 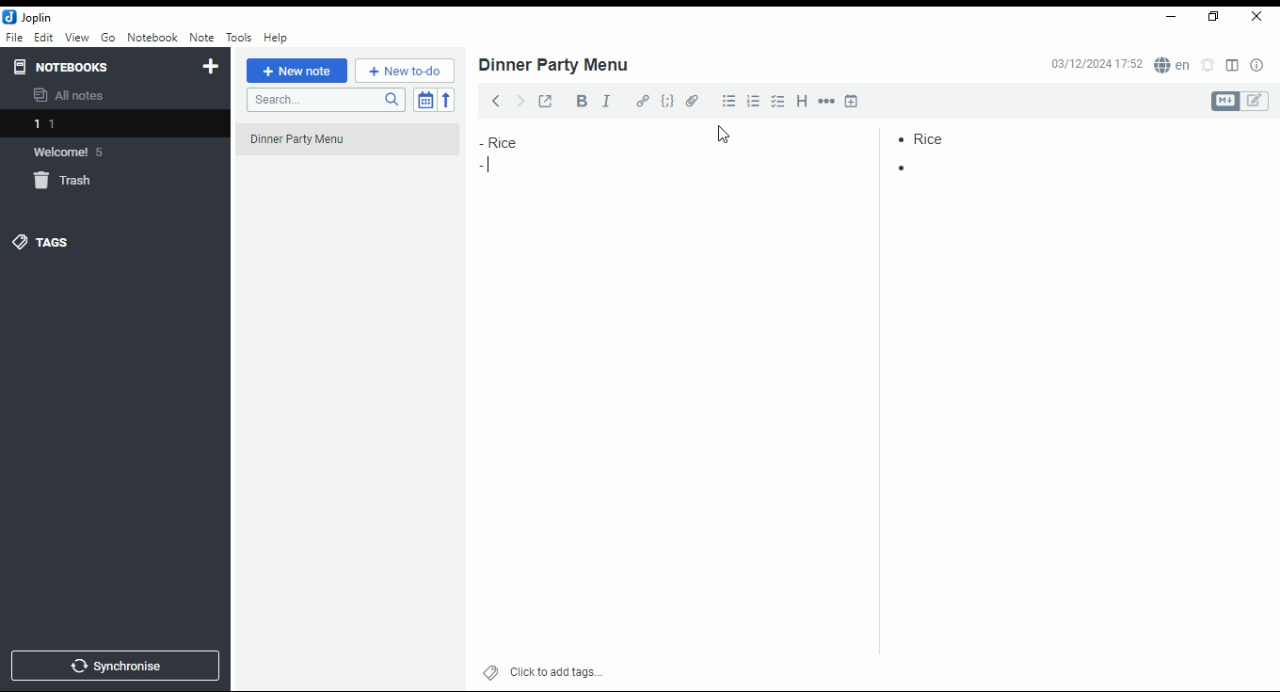 I want to click on dinner party menu, so click(x=555, y=65).